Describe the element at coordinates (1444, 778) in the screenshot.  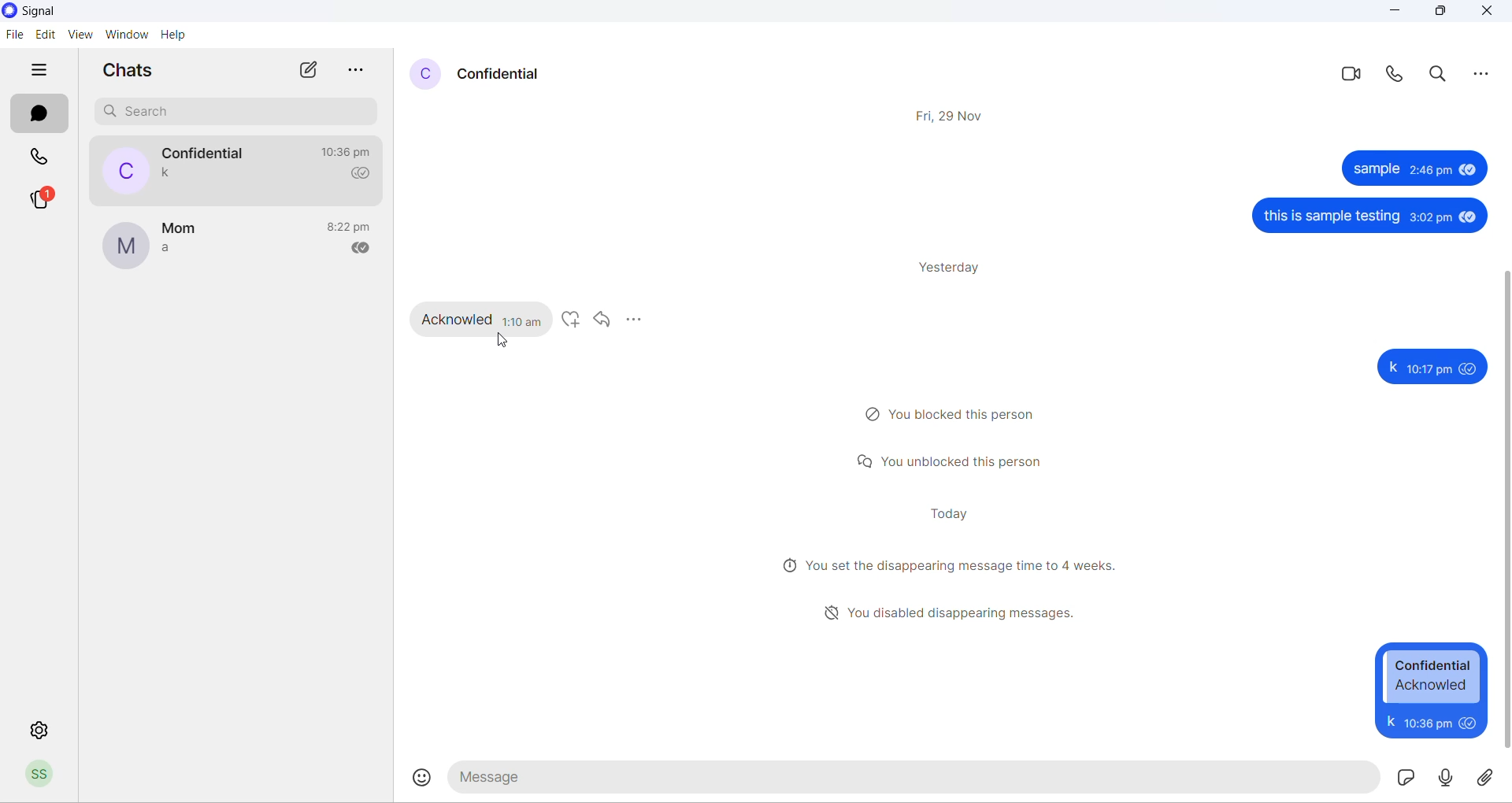
I see `voicemail` at that location.